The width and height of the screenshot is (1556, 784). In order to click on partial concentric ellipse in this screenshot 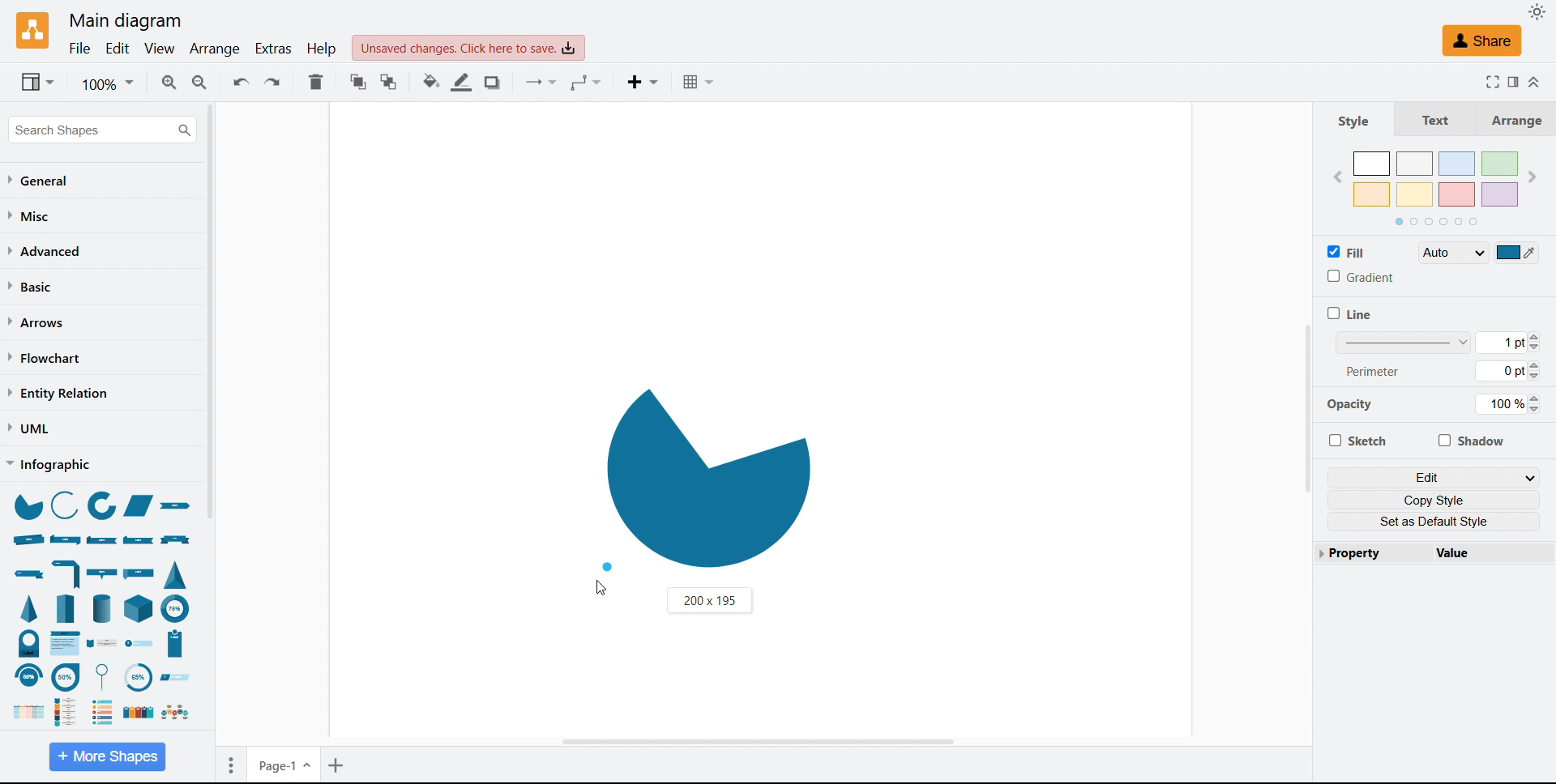, I will do `click(103, 507)`.